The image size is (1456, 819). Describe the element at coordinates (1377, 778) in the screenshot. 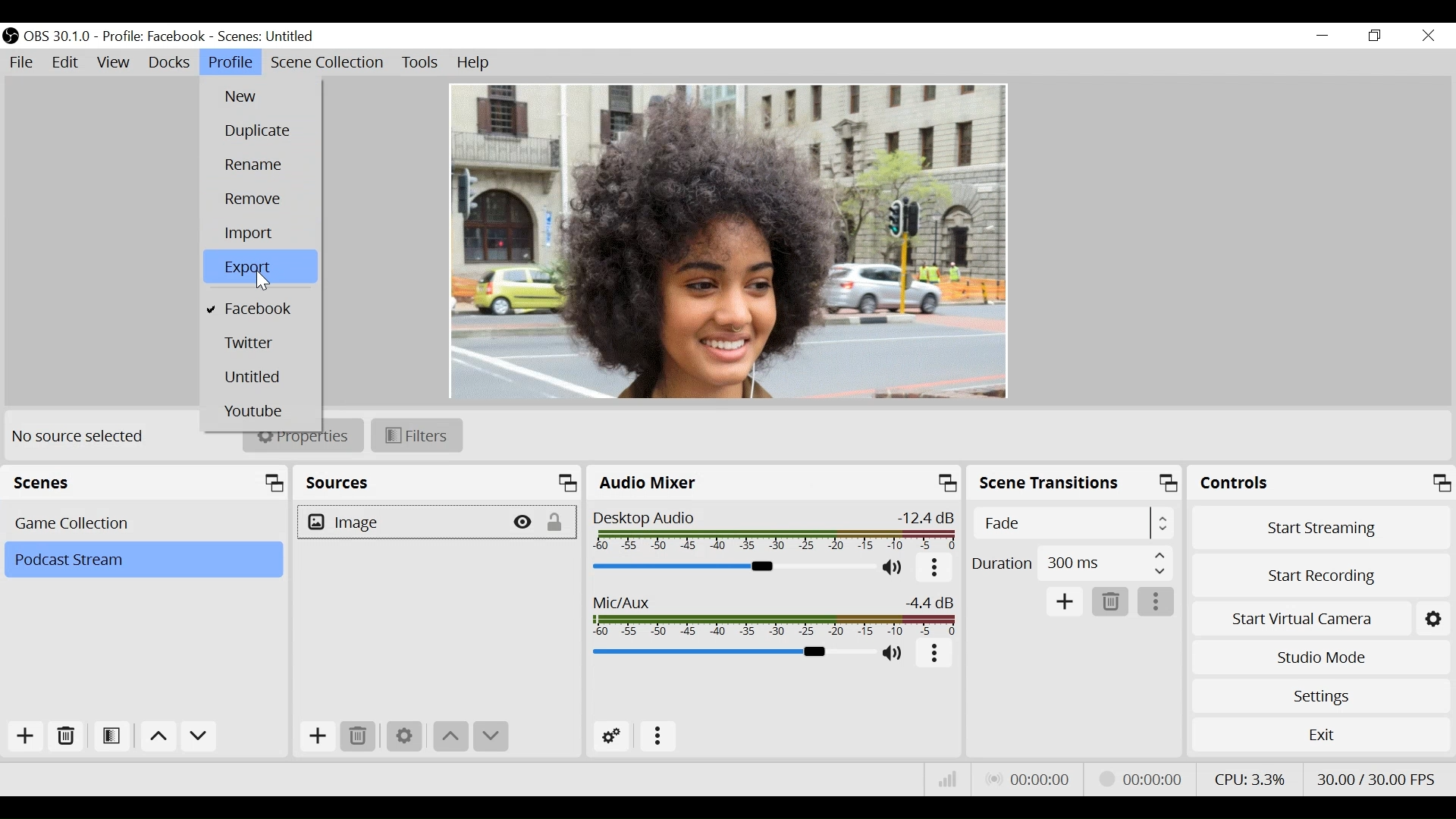

I see `Frame Per Second` at that location.